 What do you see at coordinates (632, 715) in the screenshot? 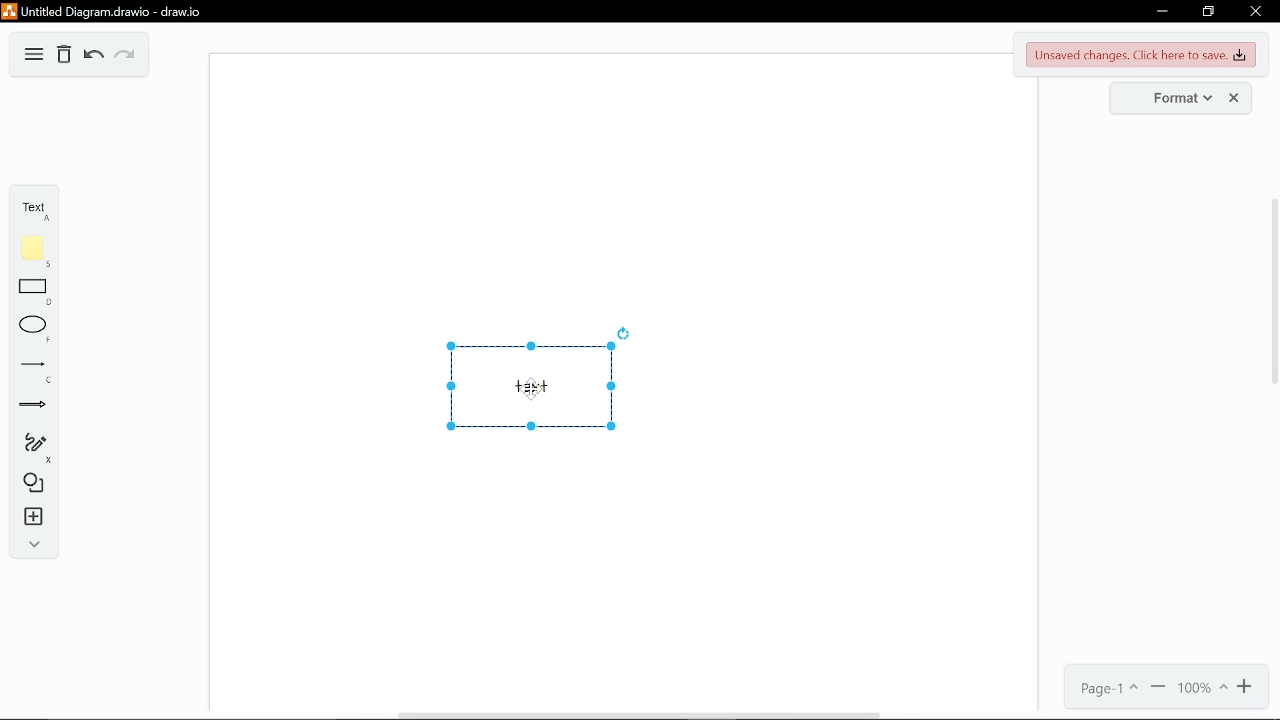
I see `horizontal scrollbar` at bounding box center [632, 715].